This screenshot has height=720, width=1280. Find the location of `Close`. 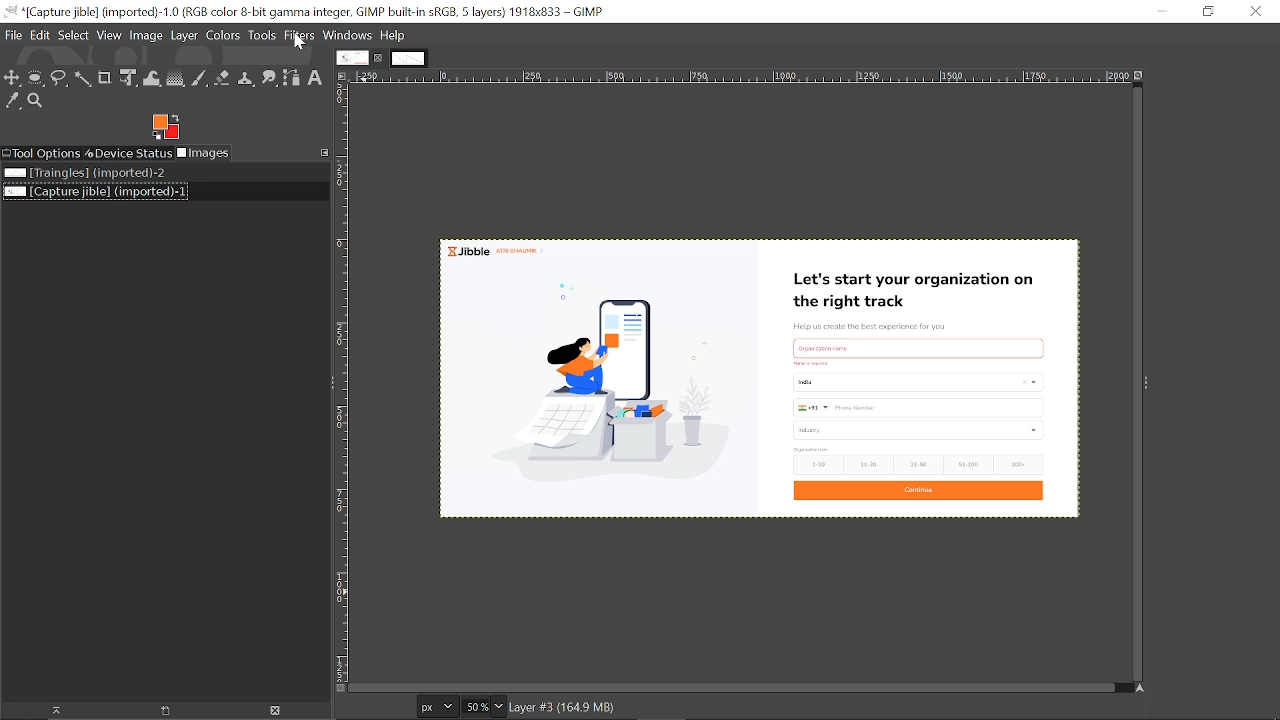

Close is located at coordinates (1257, 11).